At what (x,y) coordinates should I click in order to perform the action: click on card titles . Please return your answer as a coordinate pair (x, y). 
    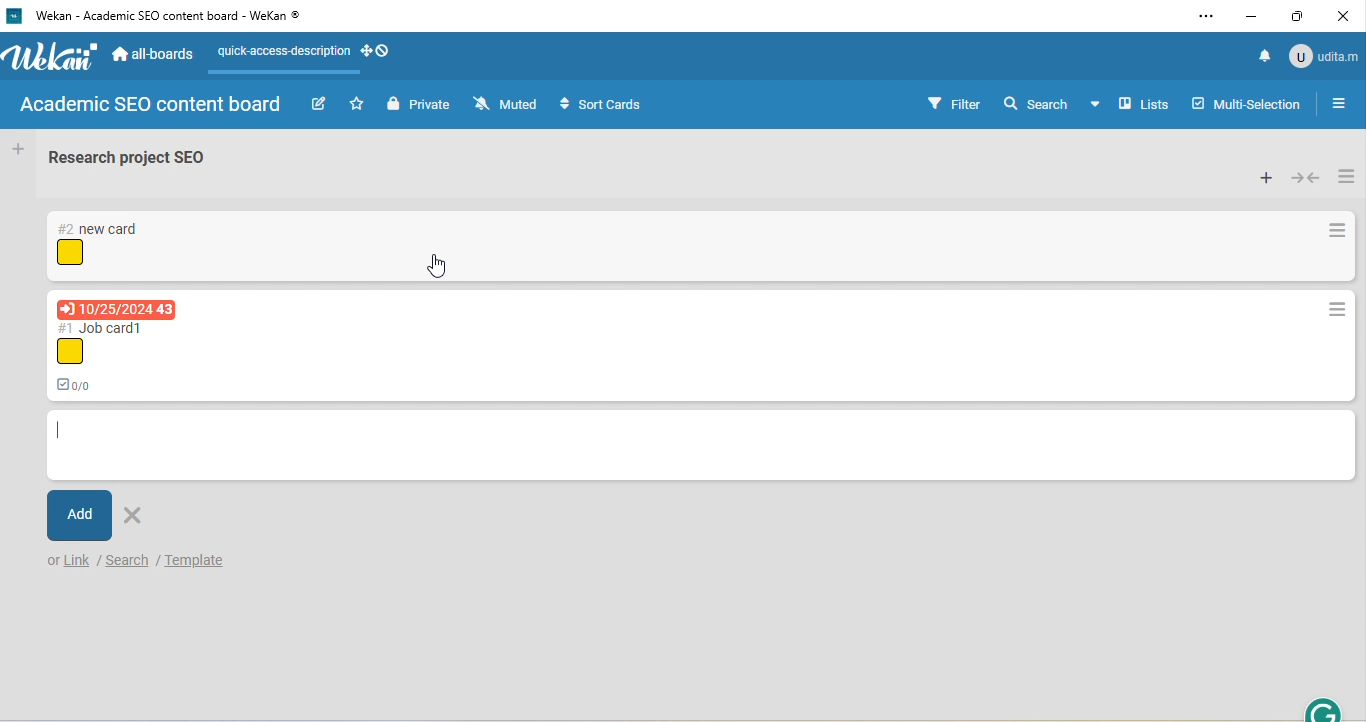
    Looking at the image, I should click on (100, 229).